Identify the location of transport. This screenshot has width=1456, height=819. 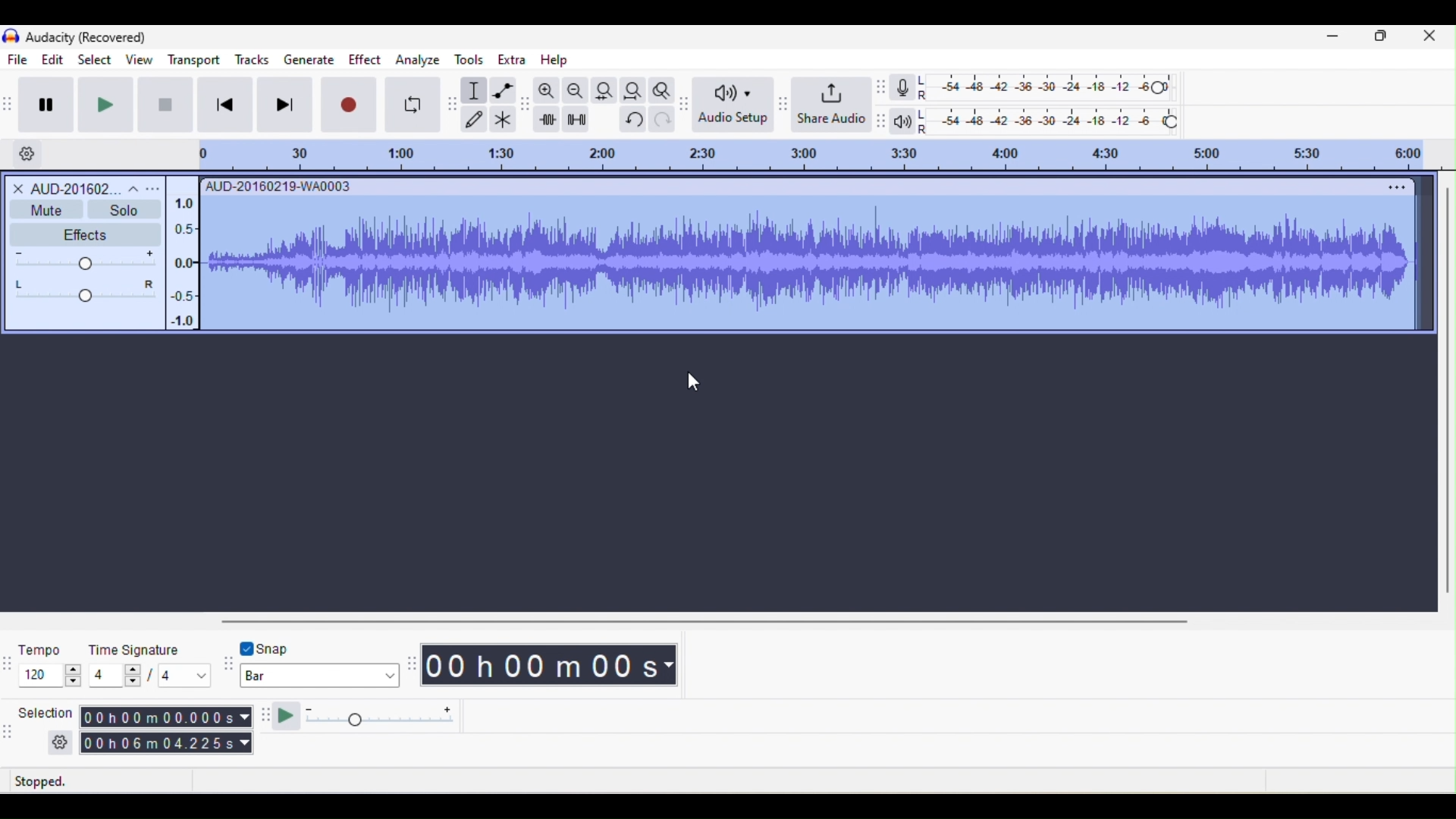
(193, 60).